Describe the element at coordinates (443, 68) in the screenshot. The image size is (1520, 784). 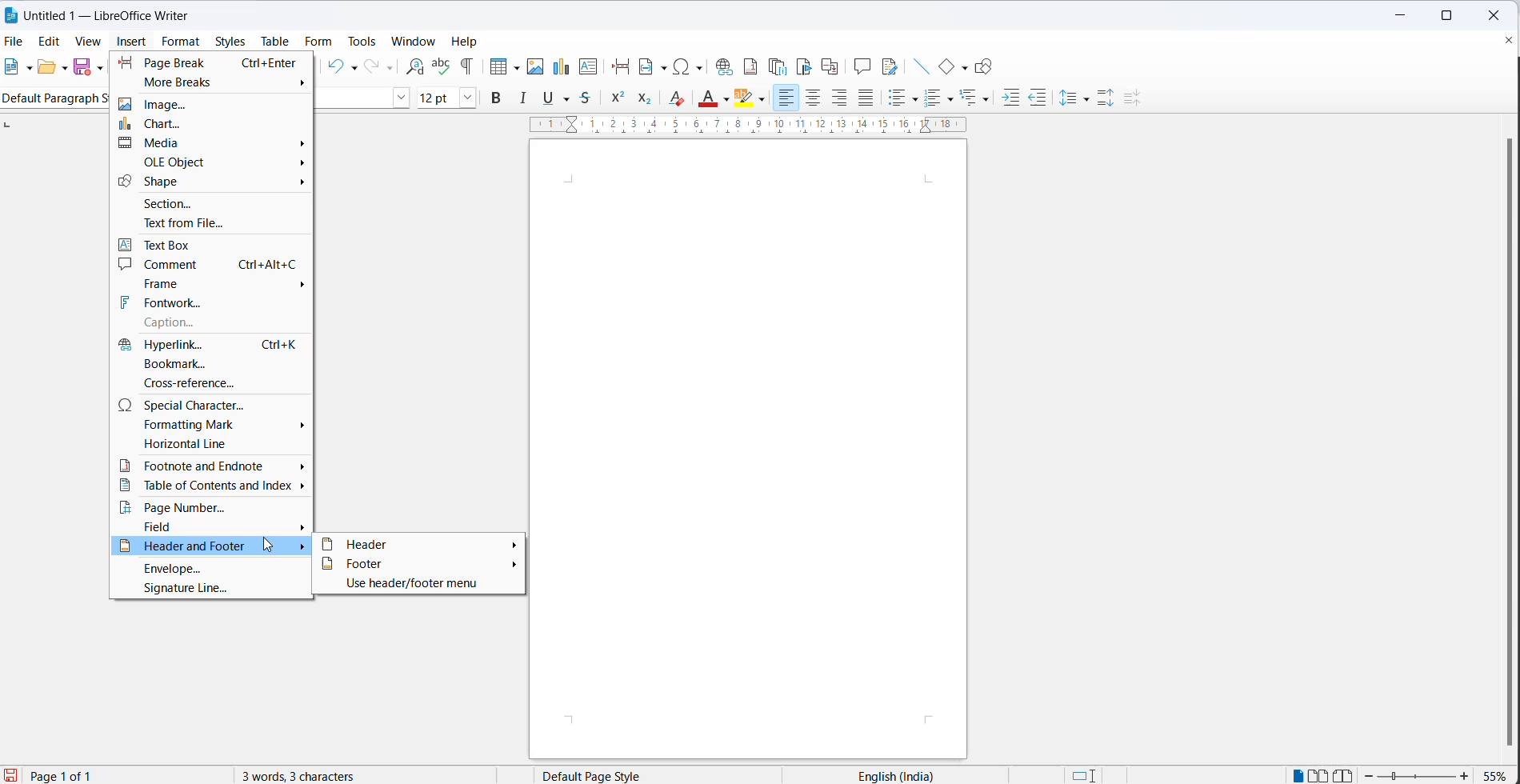
I see `spellings` at that location.